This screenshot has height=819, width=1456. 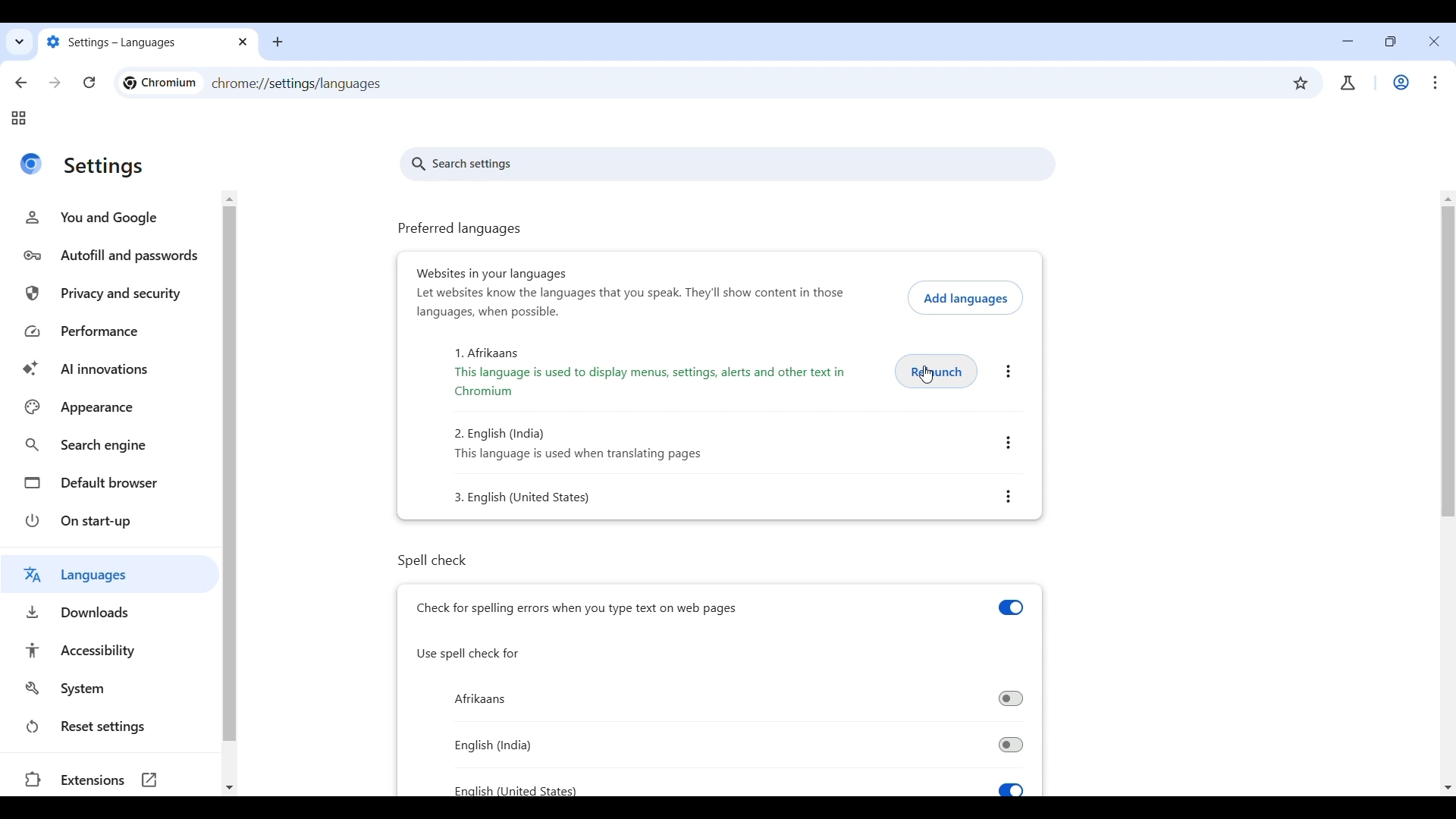 I want to click on Relaunch browser to see translation in Afrikaans, so click(x=937, y=369).